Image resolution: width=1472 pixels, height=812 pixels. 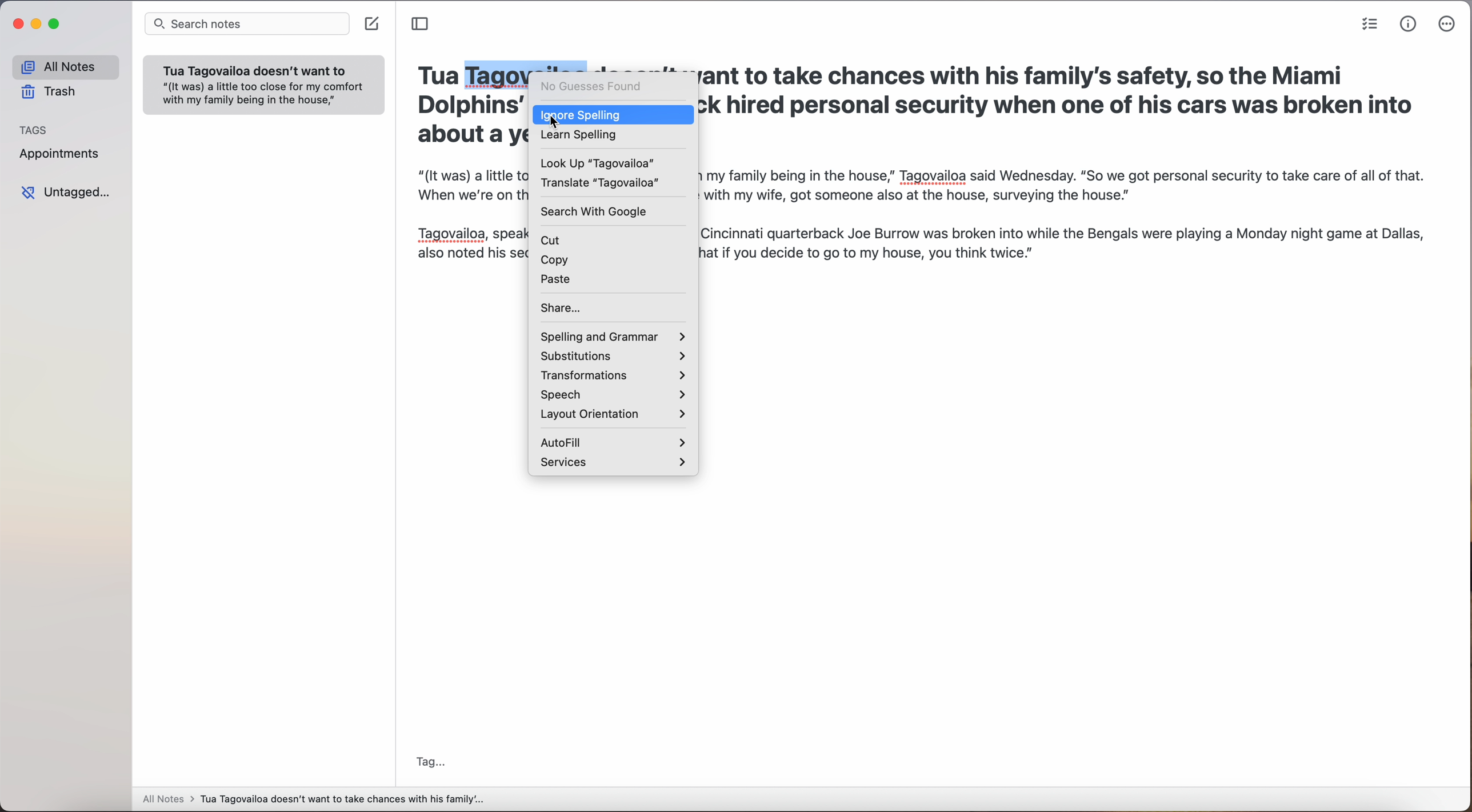 I want to click on Tua Tagov, so click(x=473, y=75).